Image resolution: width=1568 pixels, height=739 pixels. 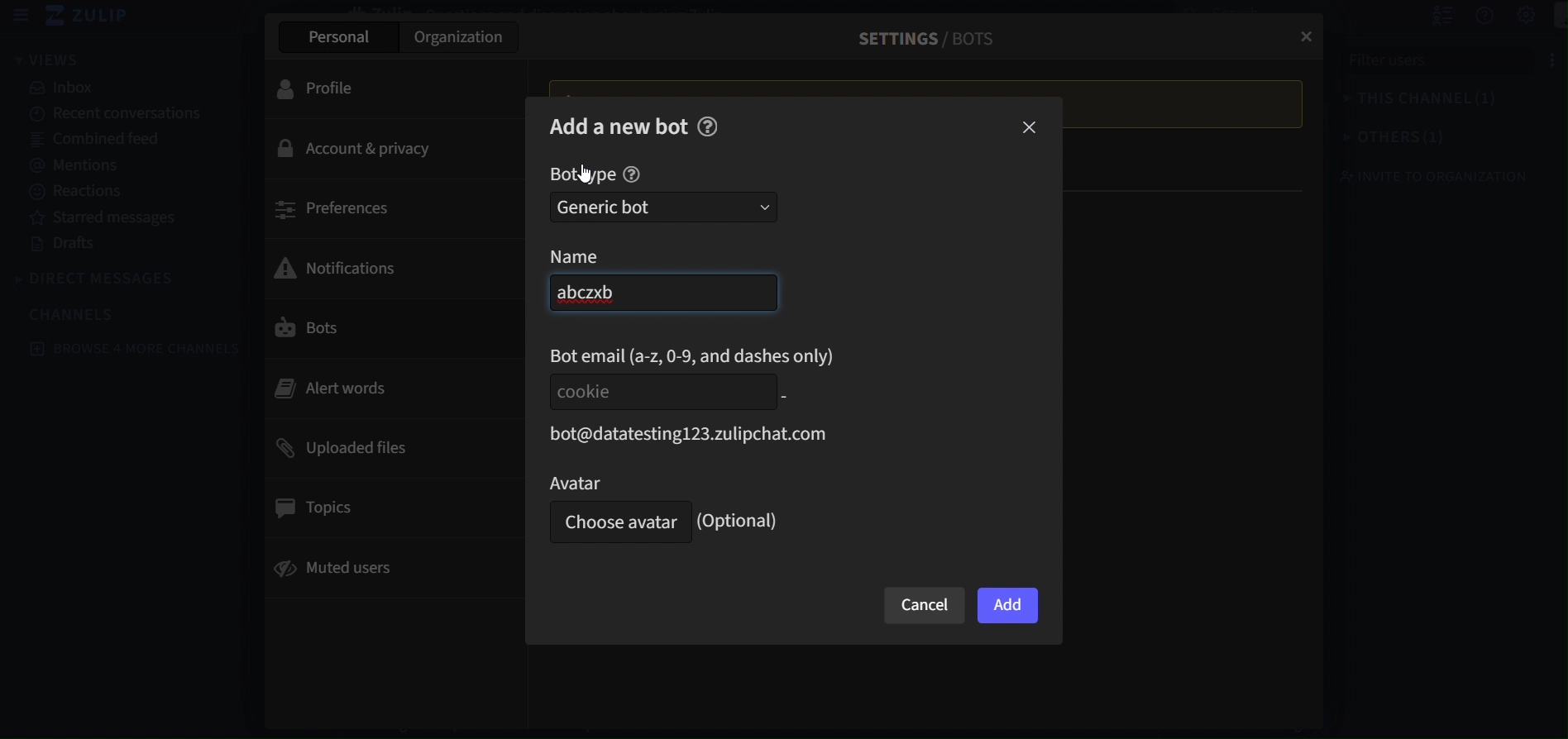 I want to click on reactions, so click(x=118, y=192).